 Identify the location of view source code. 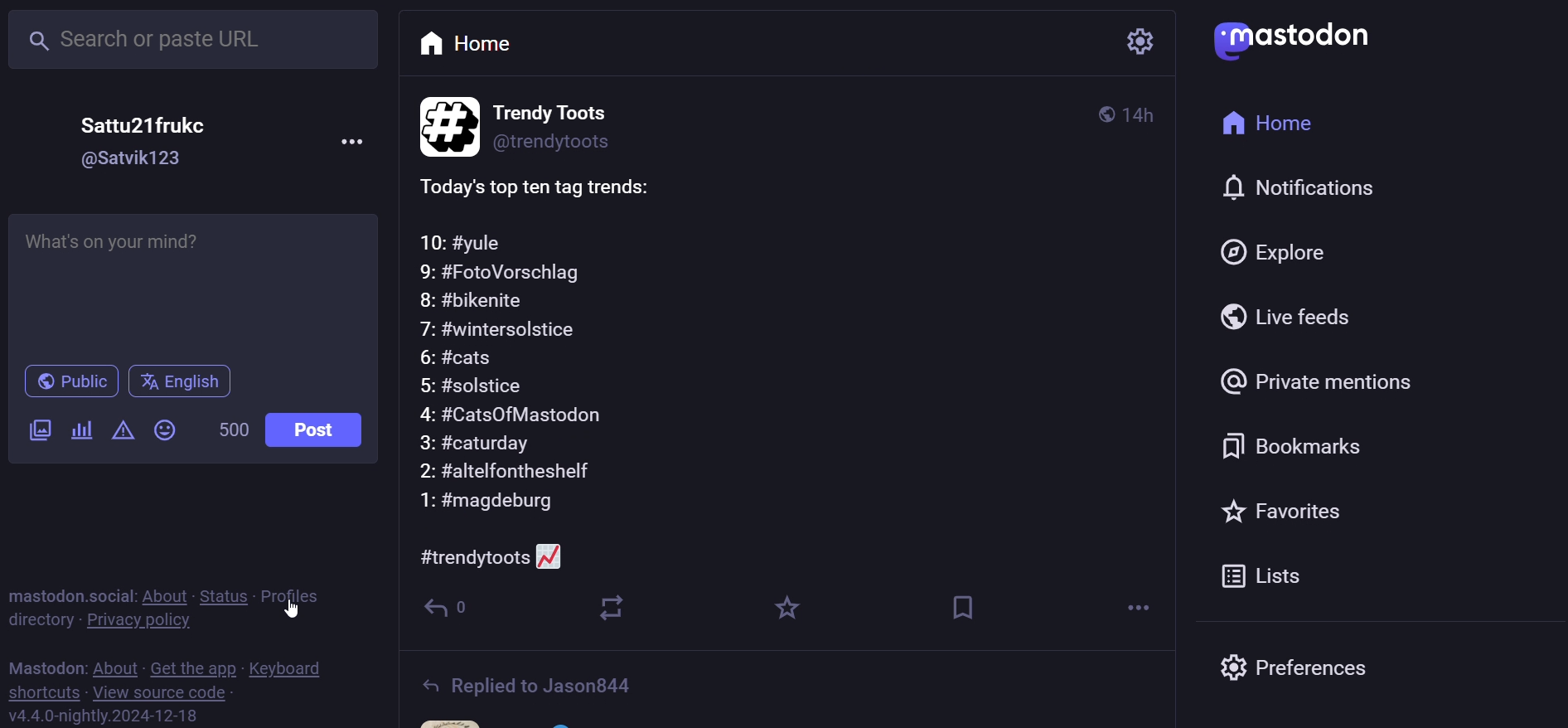
(163, 692).